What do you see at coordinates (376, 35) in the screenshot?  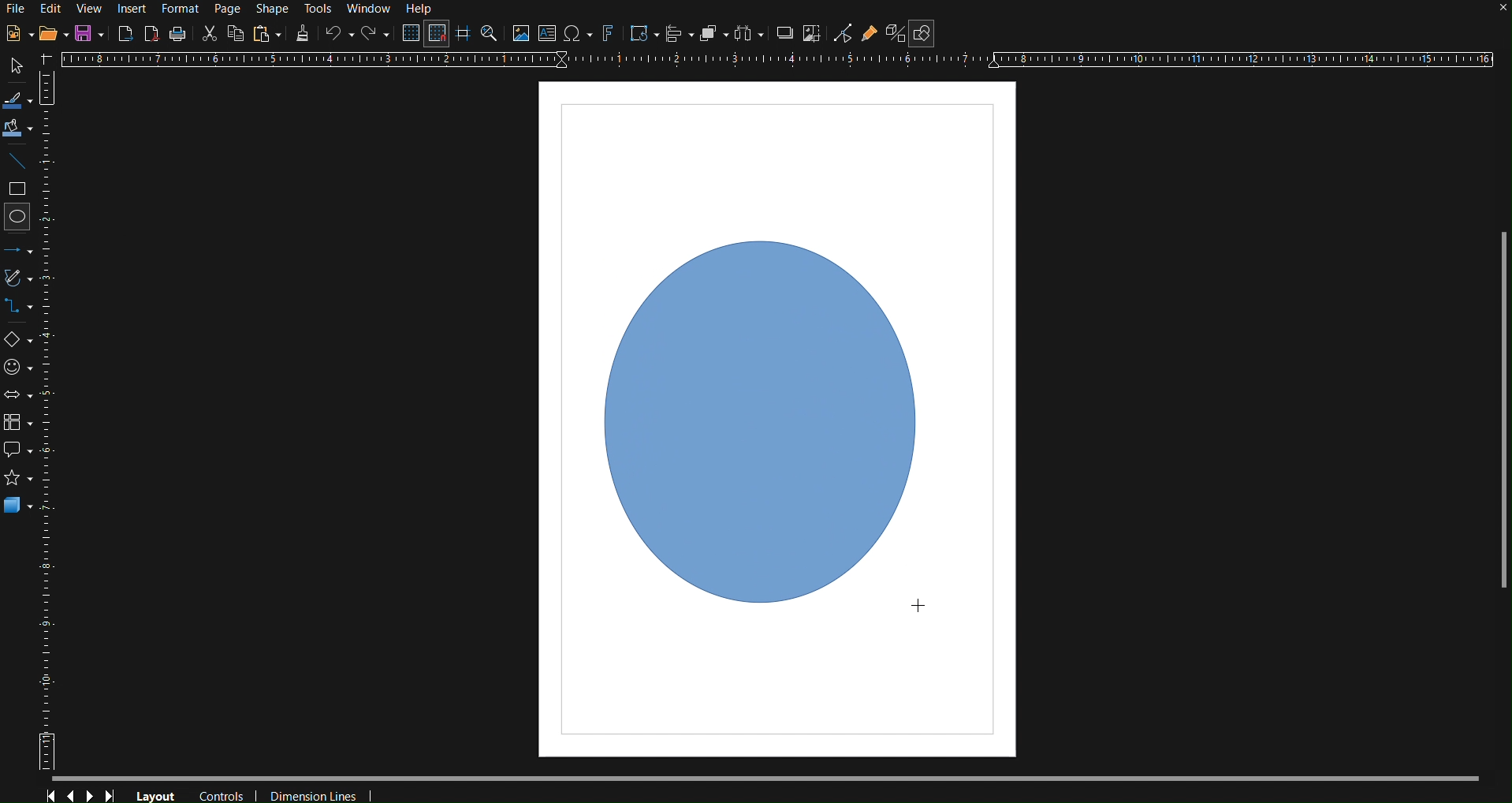 I see `Redo` at bounding box center [376, 35].